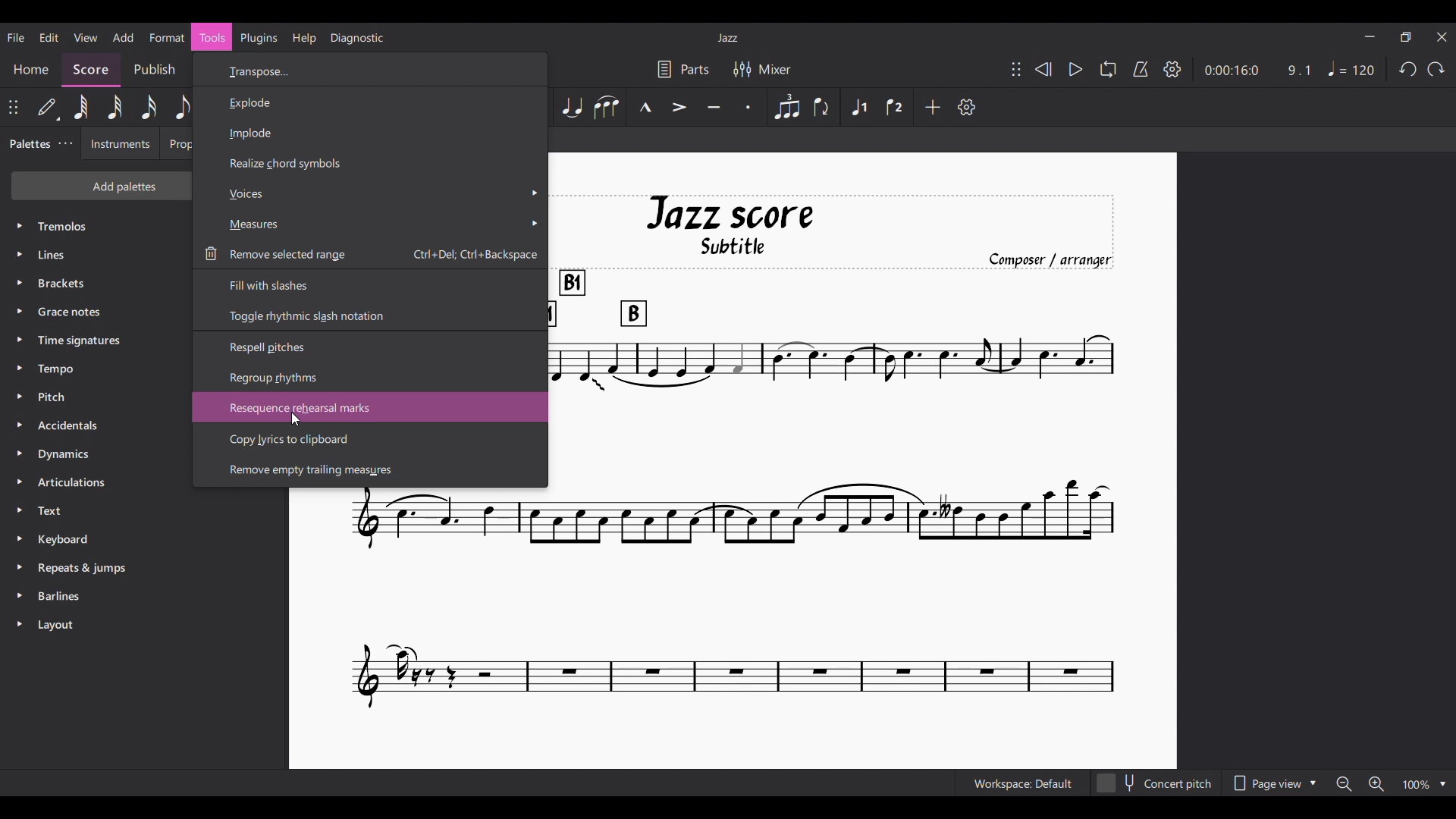  Describe the element at coordinates (966, 107) in the screenshot. I see `Customization settings` at that location.